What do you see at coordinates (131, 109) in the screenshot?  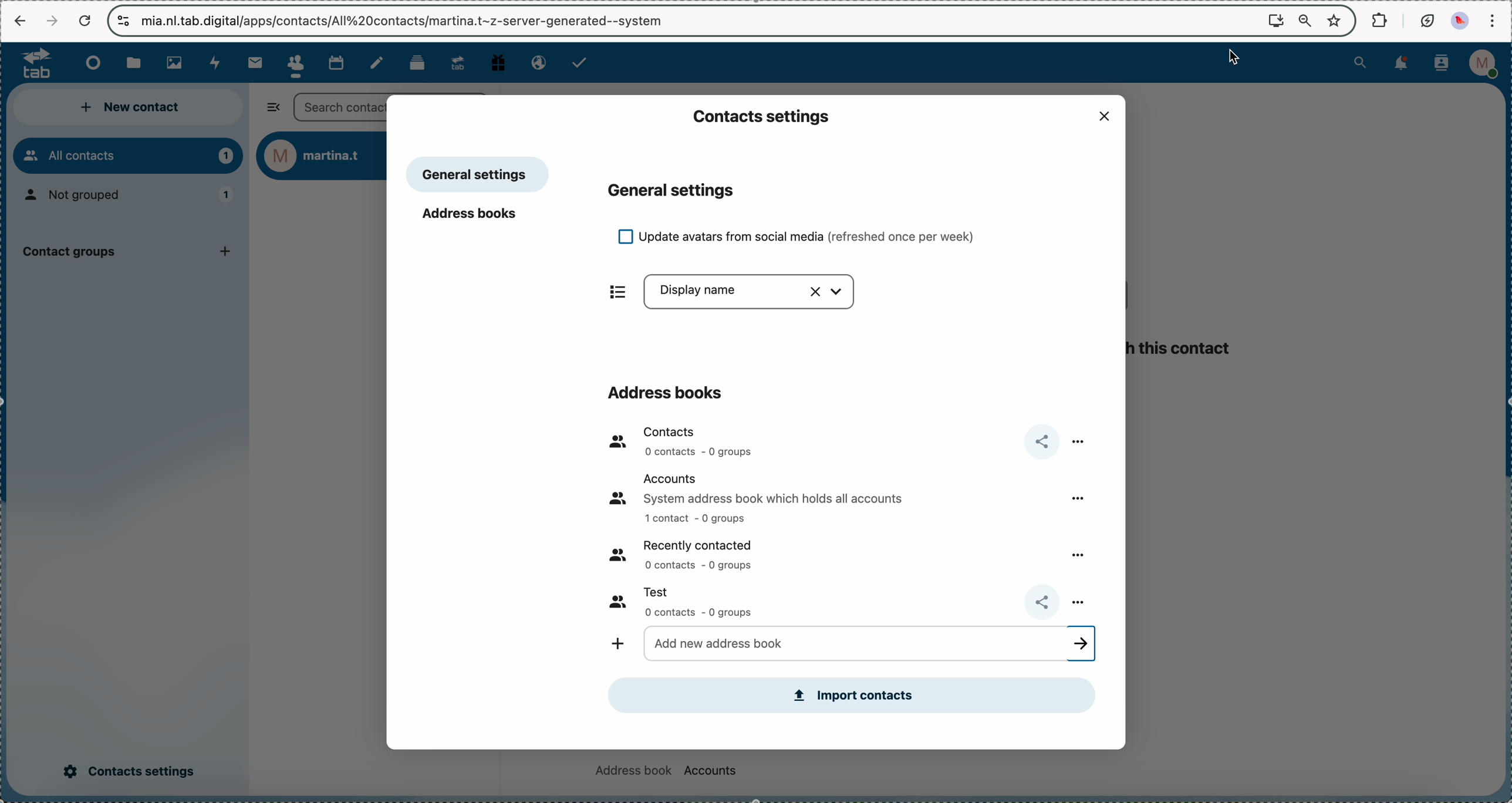 I see `new contact` at bounding box center [131, 109].